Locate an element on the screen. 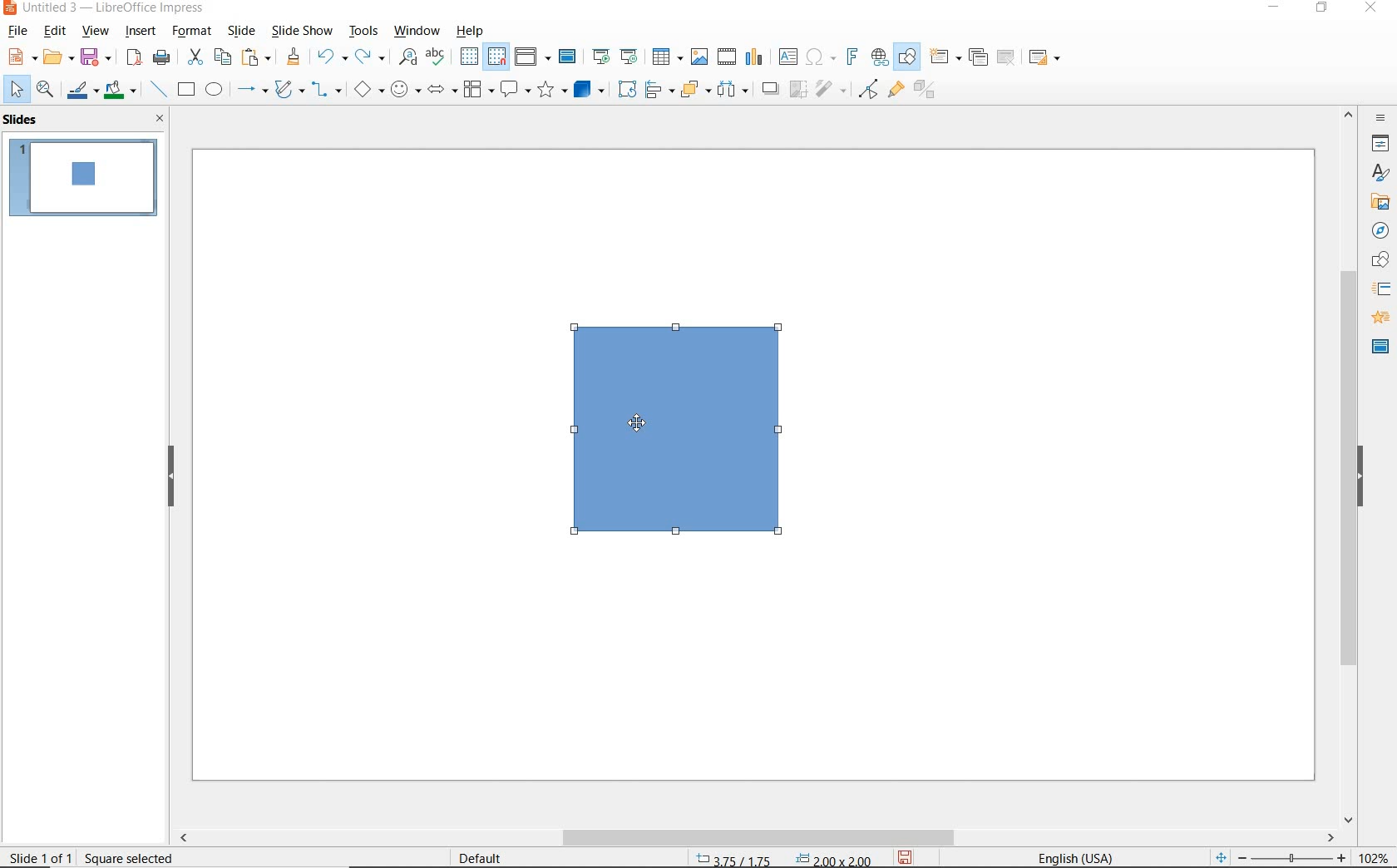  window is located at coordinates (419, 32).